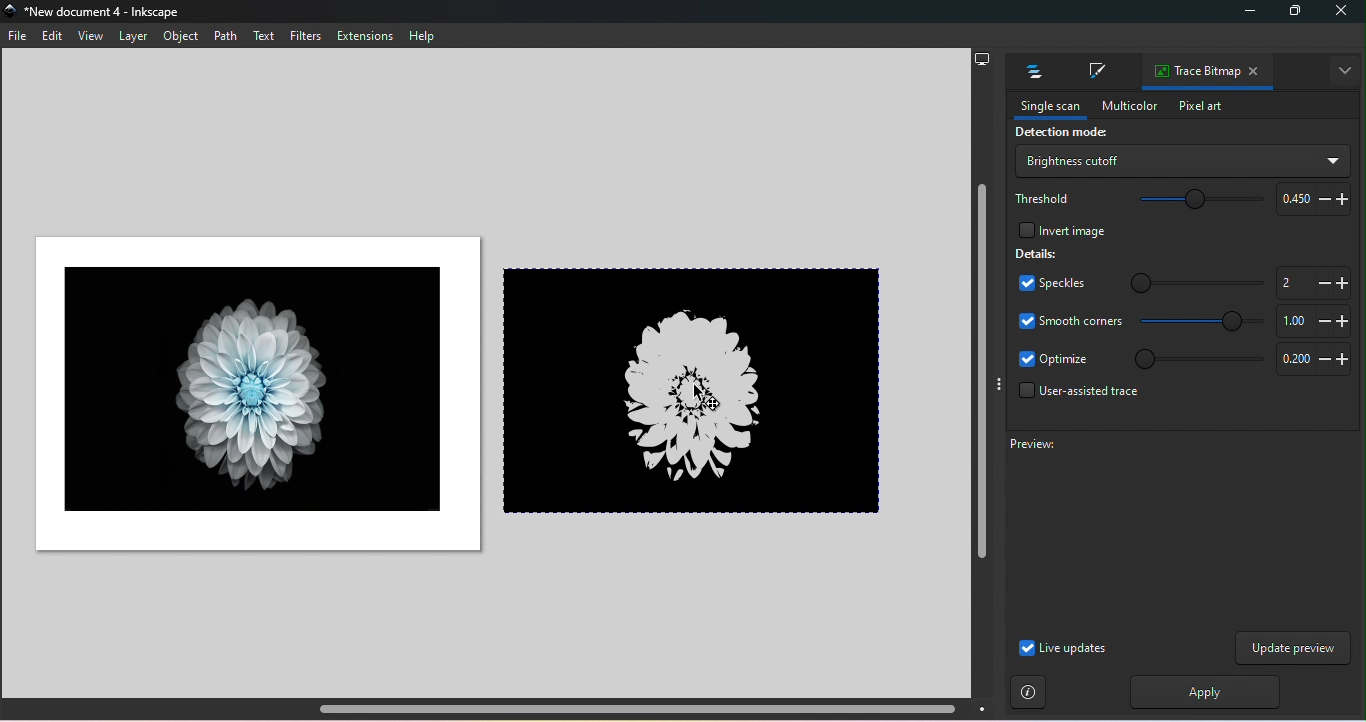 The width and height of the screenshot is (1366, 722). Describe the element at coordinates (1029, 72) in the screenshot. I see `Layers and objects` at that location.